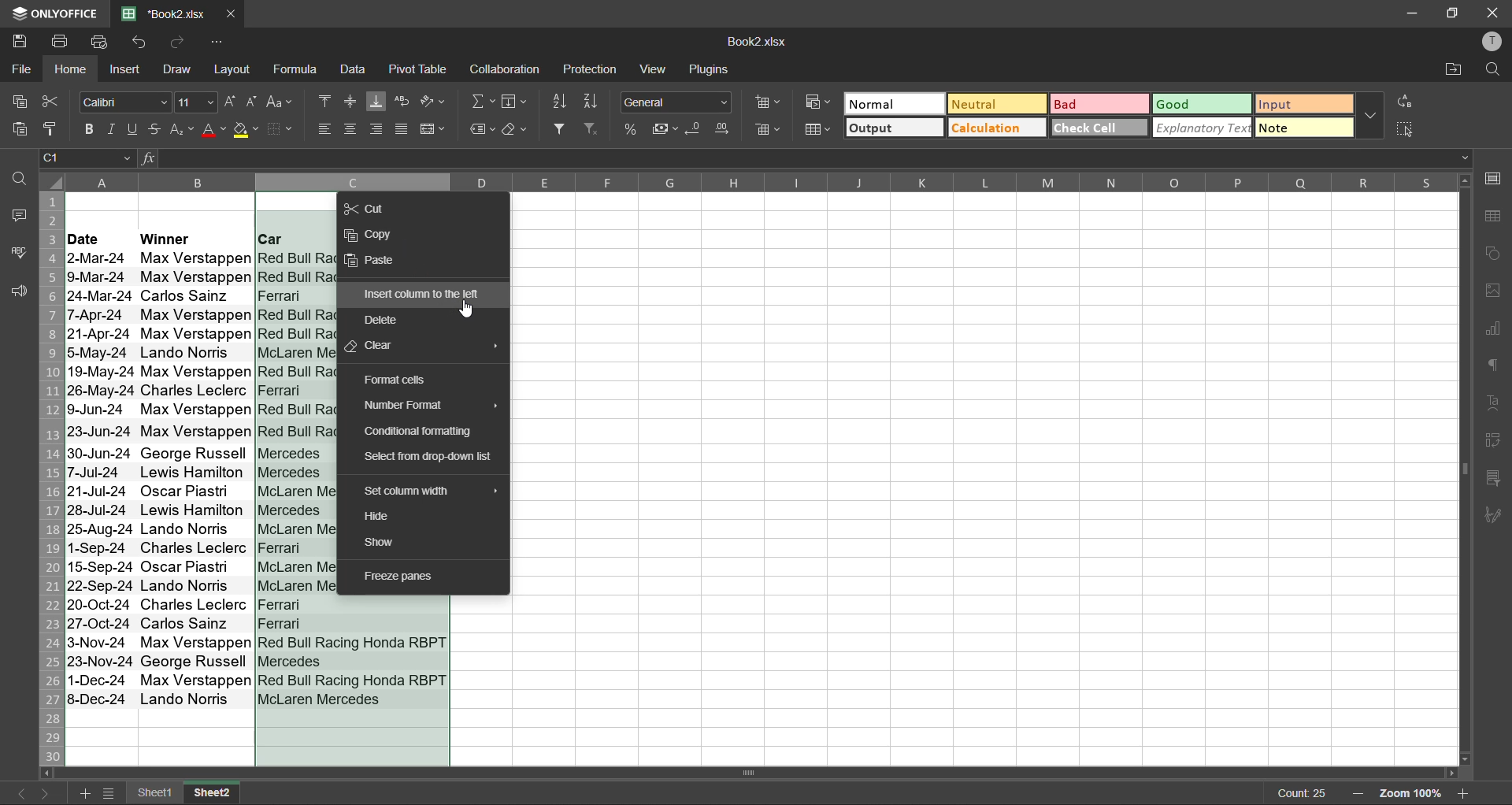 Image resolution: width=1512 pixels, height=805 pixels. I want to click on explanatory text, so click(1199, 128).